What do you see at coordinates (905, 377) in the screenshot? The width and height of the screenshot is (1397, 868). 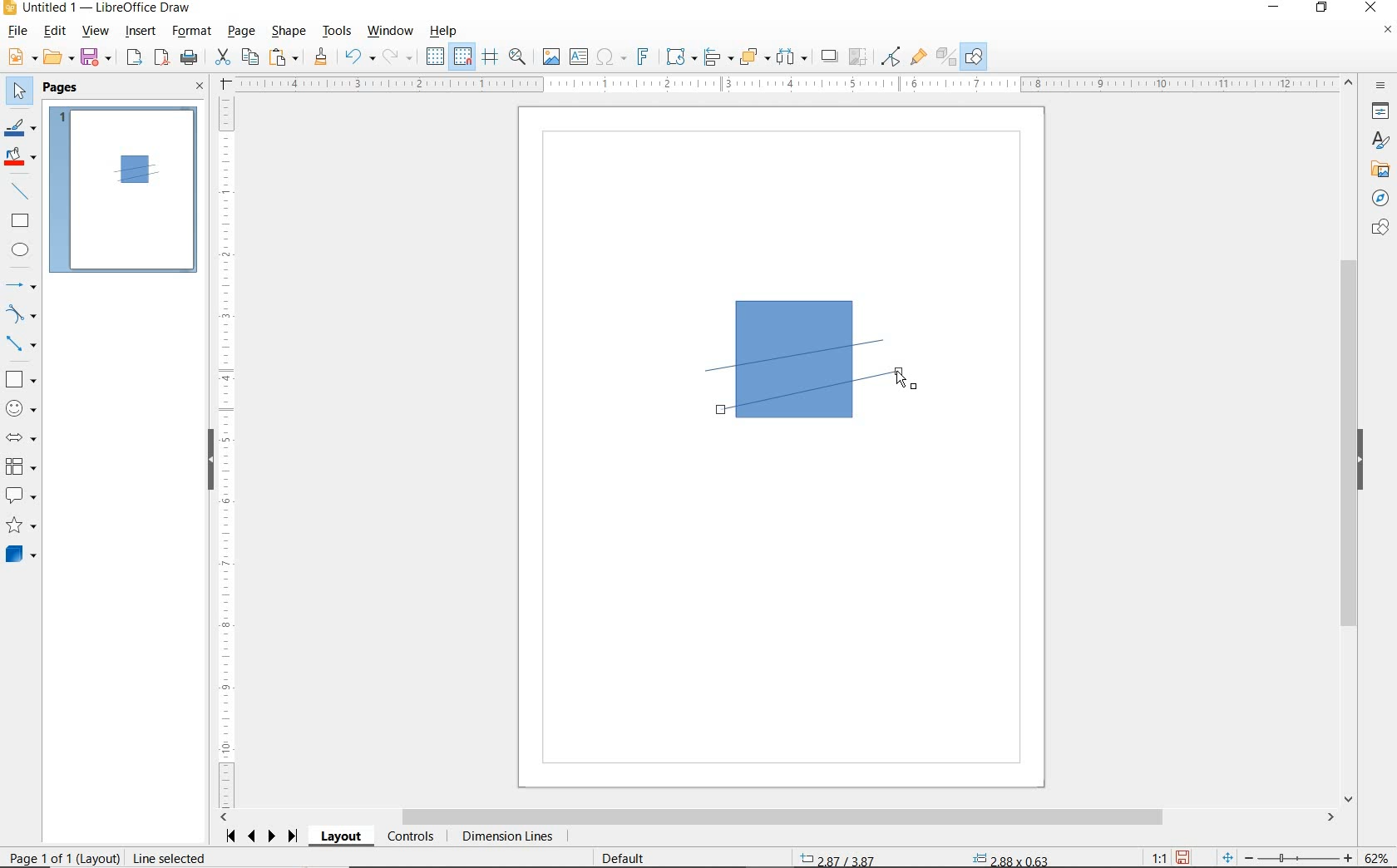 I see `LINE TOOL AT DRAG` at bounding box center [905, 377].